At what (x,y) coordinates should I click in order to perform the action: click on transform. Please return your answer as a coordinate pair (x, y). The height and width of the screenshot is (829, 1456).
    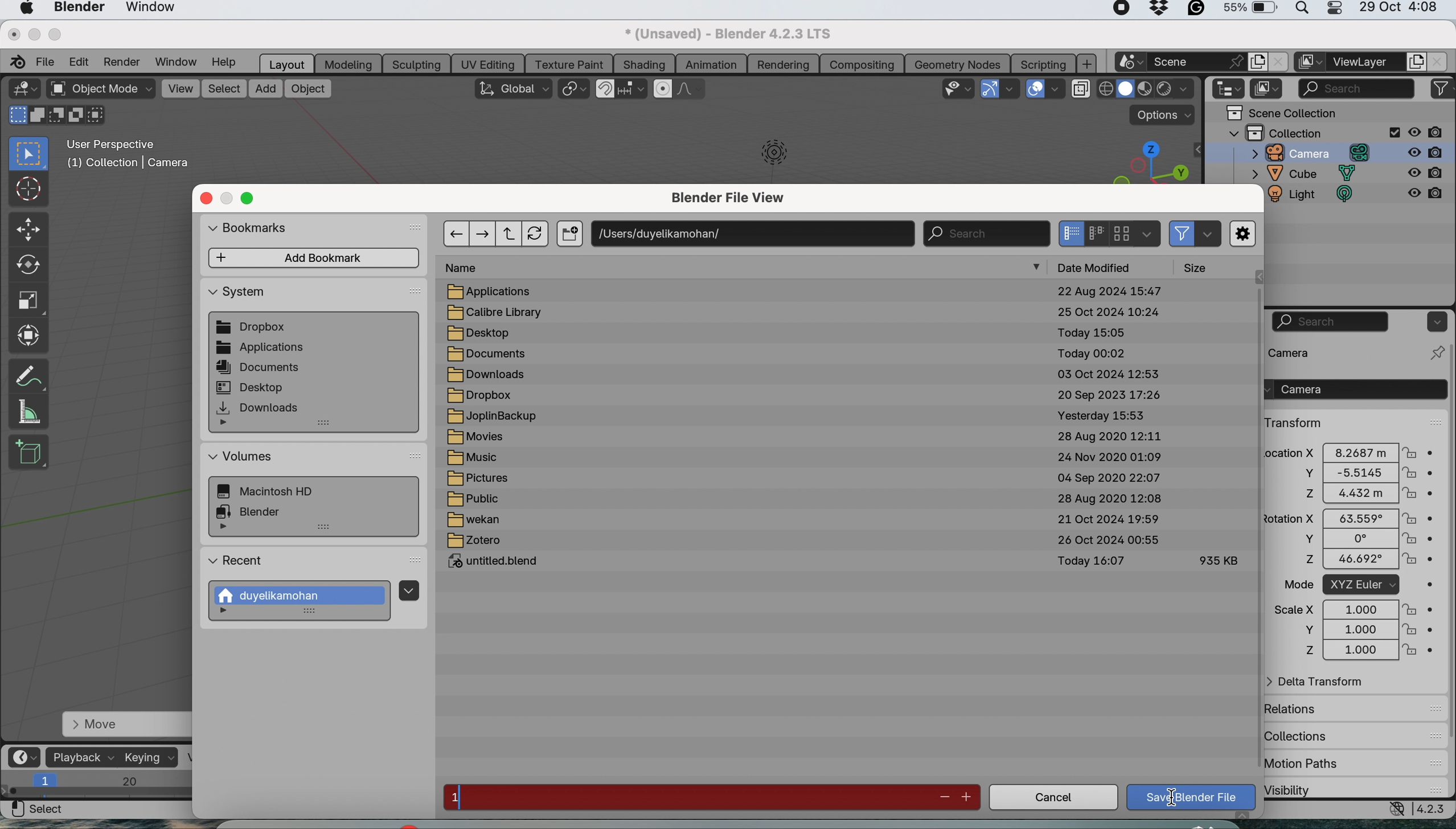
    Looking at the image, I should click on (28, 334).